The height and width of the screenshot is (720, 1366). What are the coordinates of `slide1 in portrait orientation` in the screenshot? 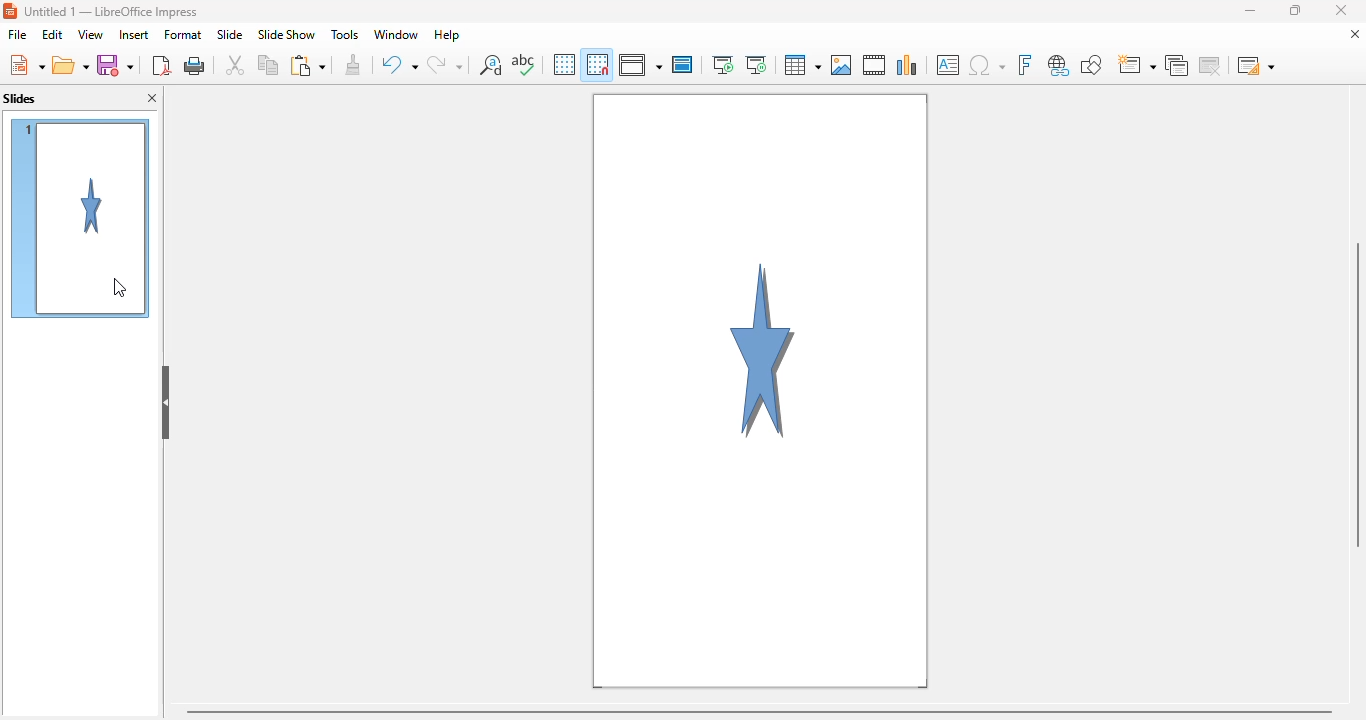 It's located at (761, 391).